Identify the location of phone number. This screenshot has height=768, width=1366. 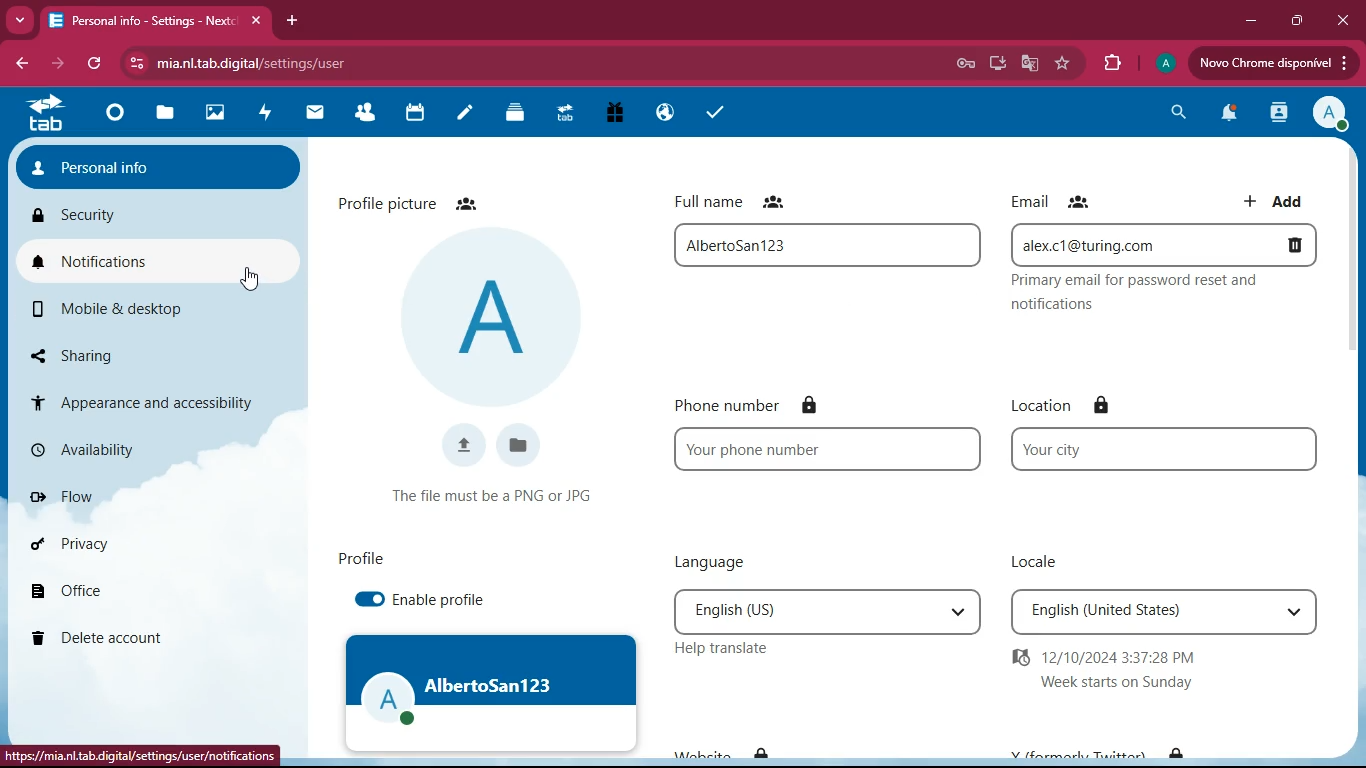
(755, 405).